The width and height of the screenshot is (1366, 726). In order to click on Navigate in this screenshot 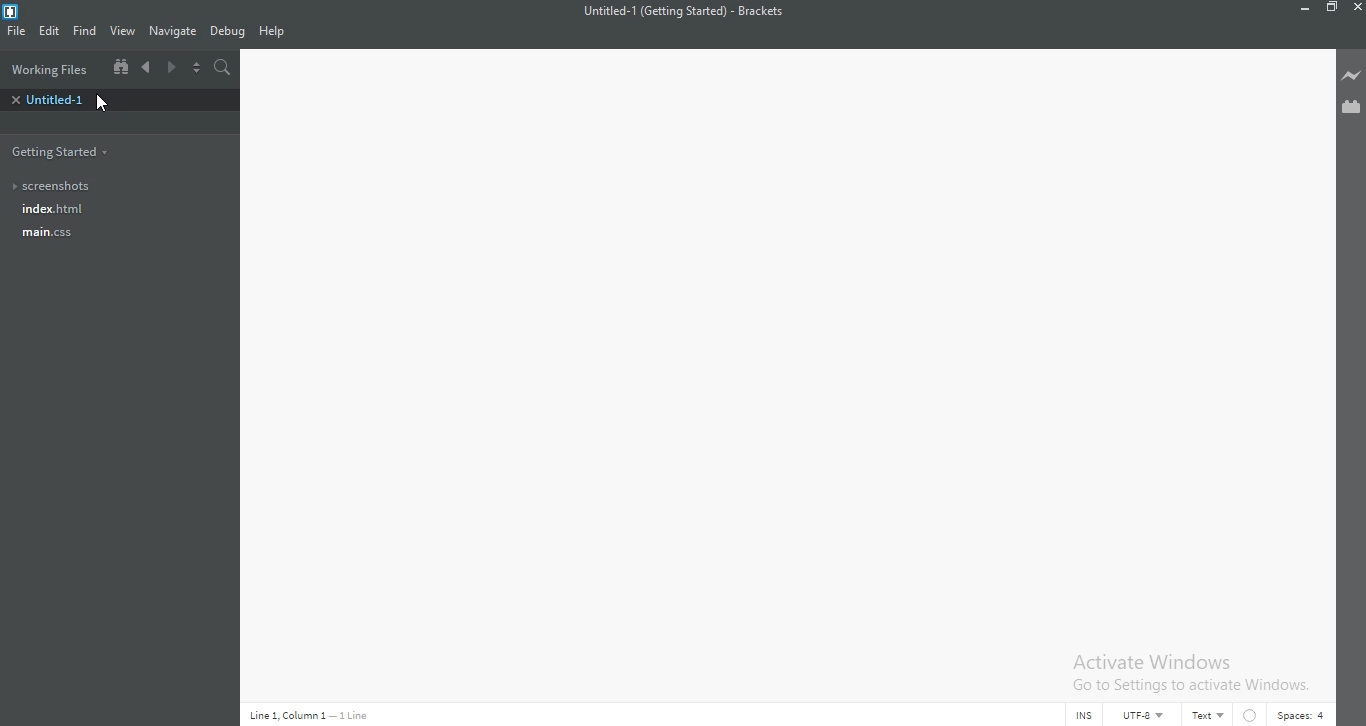, I will do `click(173, 33)`.